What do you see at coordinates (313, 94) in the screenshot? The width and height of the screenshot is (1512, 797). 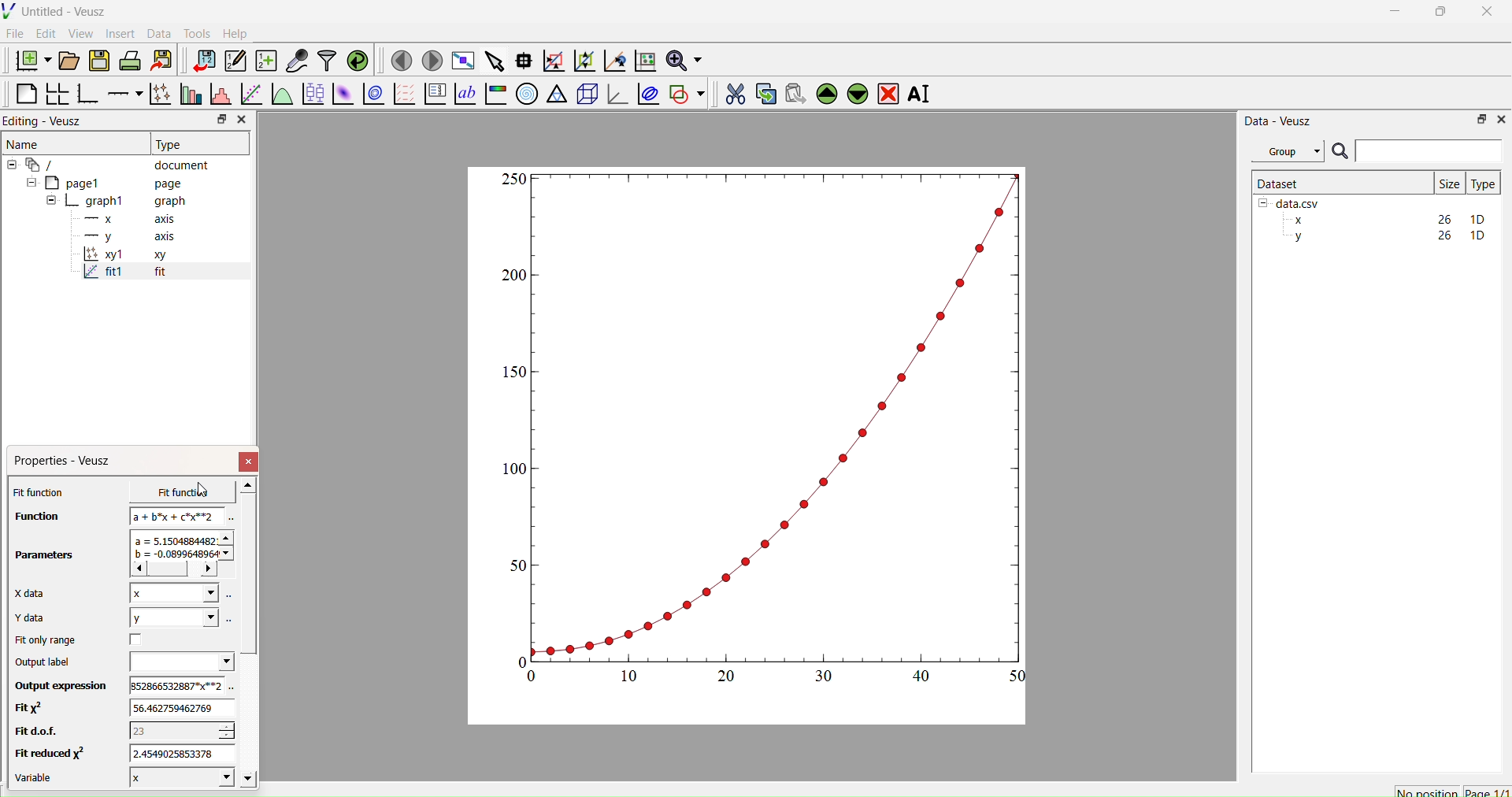 I see `Plot box plots` at bounding box center [313, 94].